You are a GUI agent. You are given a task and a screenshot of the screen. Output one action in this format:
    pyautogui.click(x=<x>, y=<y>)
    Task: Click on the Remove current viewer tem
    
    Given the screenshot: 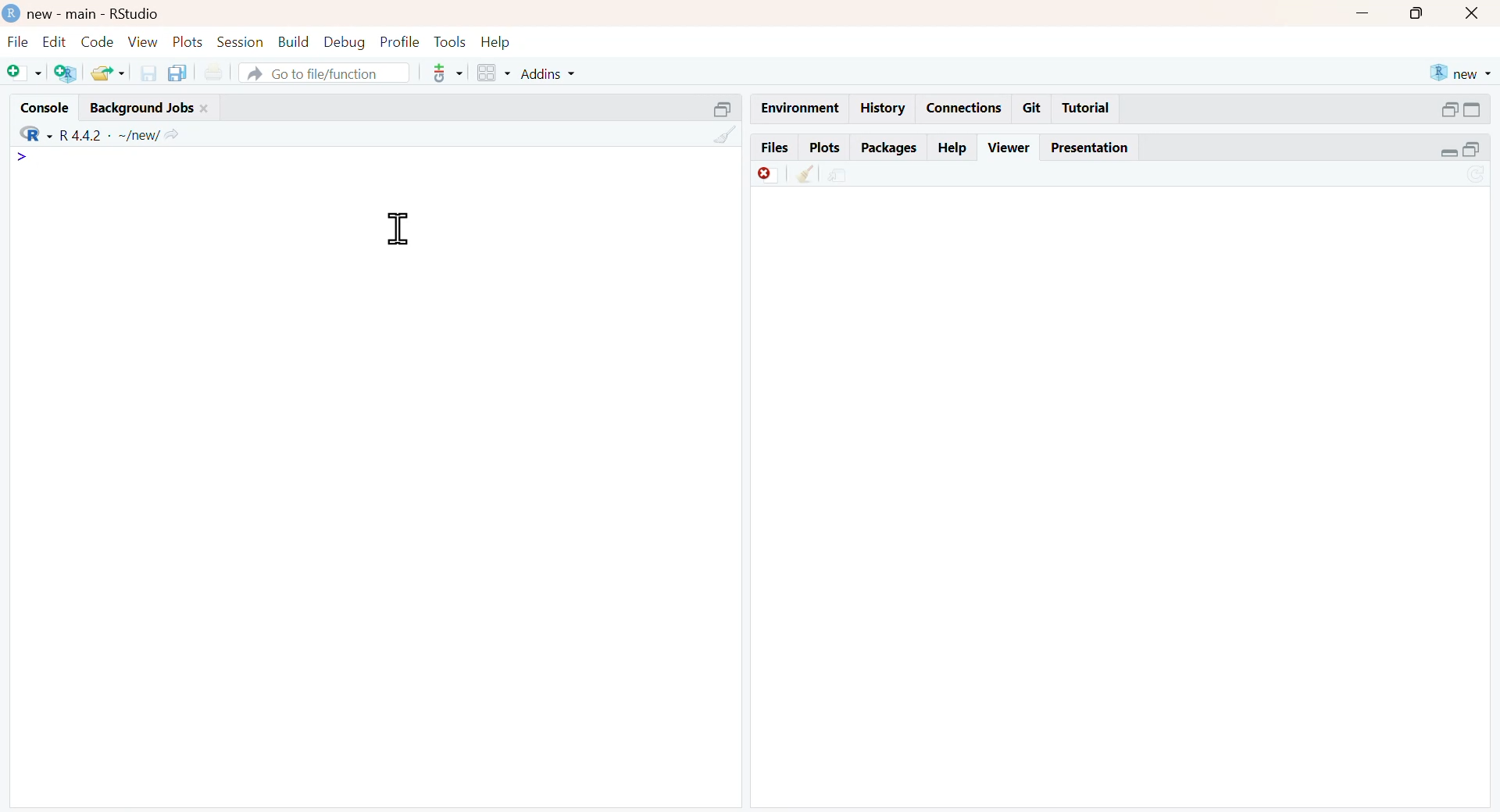 What is the action you would take?
    pyautogui.click(x=756, y=173)
    